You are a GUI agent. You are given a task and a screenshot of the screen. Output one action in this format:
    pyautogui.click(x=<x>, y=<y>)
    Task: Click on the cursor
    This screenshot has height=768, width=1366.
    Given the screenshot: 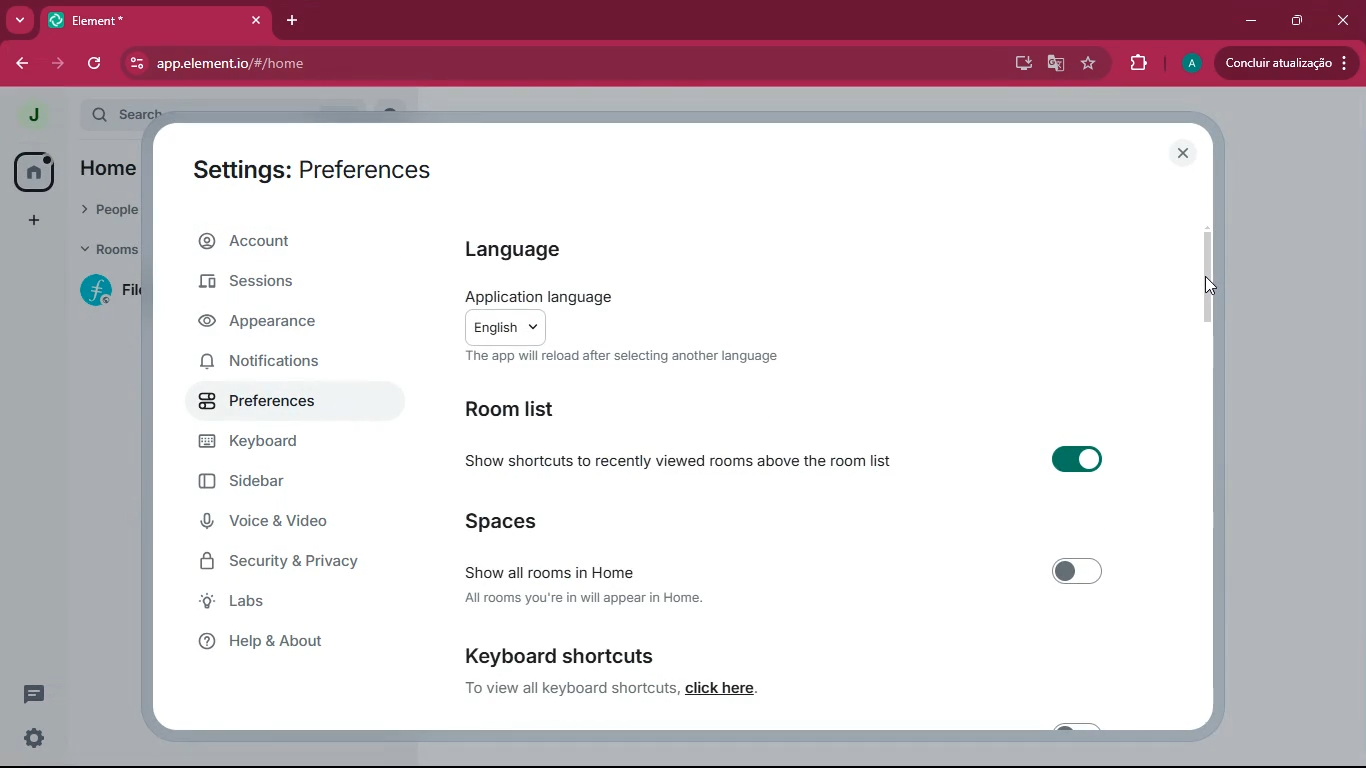 What is the action you would take?
    pyautogui.click(x=1209, y=285)
    